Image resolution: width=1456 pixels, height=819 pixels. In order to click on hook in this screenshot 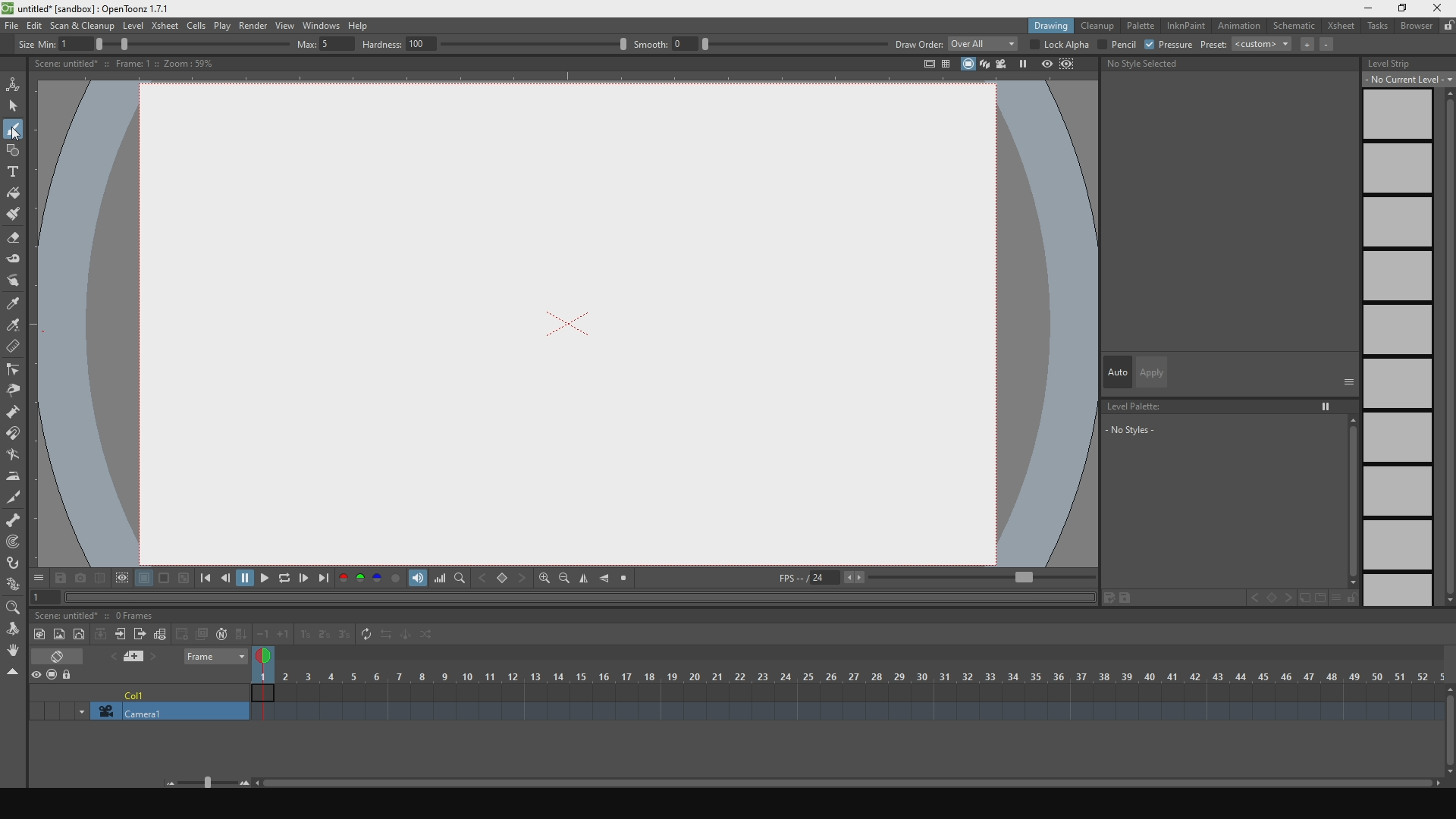, I will do `click(14, 564)`.